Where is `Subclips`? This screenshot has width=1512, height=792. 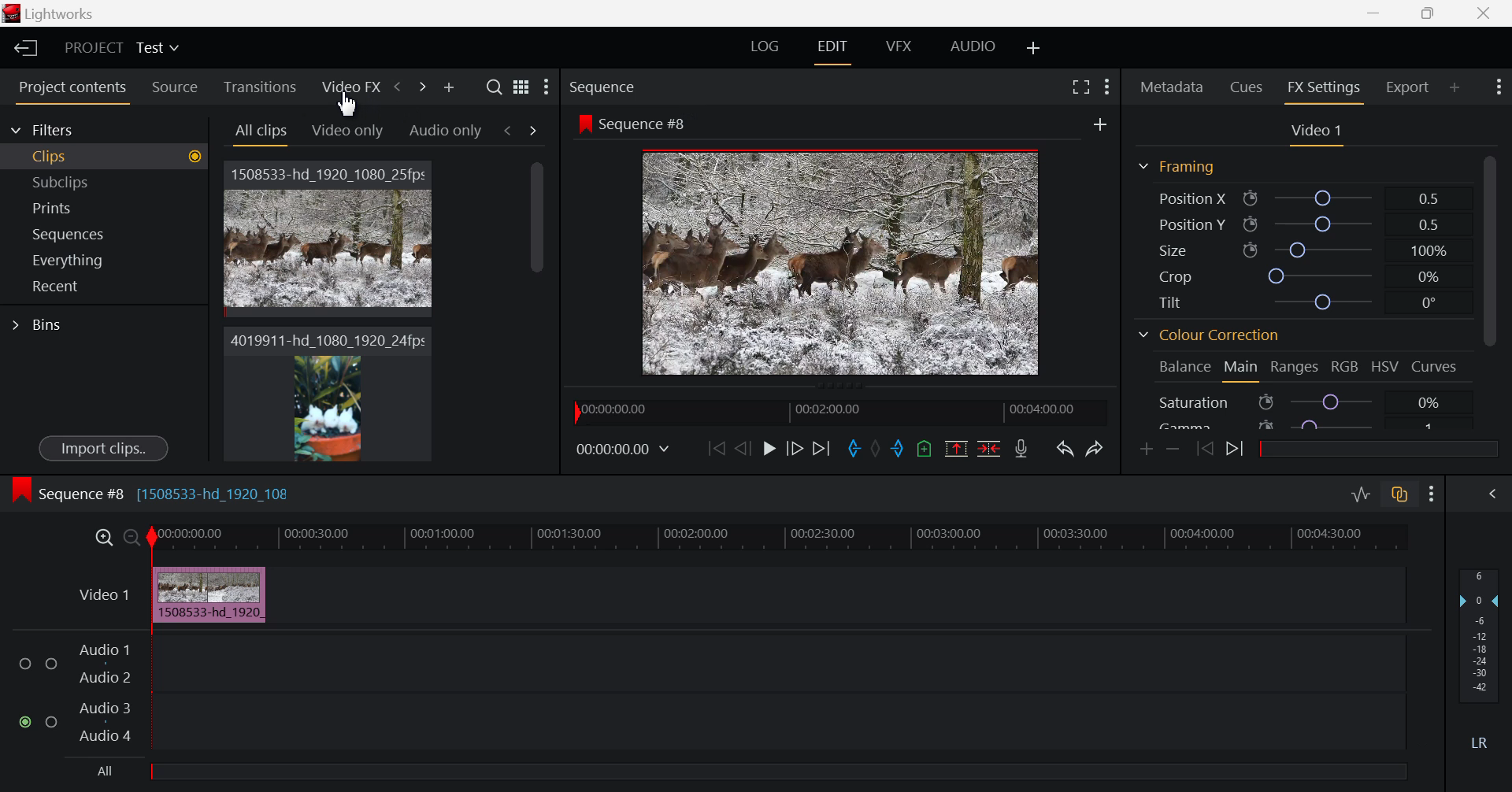 Subclips is located at coordinates (102, 182).